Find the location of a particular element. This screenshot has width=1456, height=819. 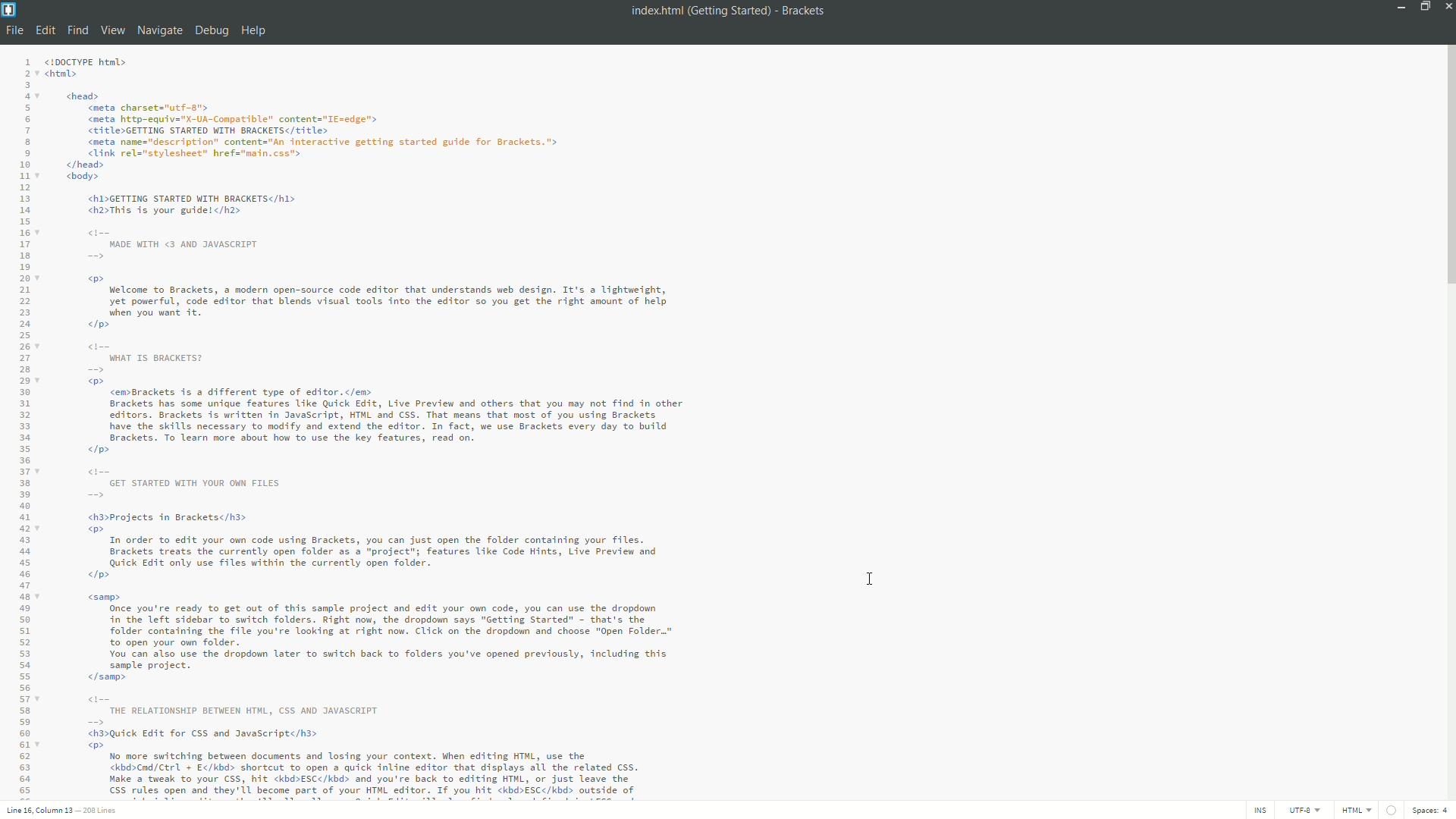

minimize is located at coordinates (1398, 6).